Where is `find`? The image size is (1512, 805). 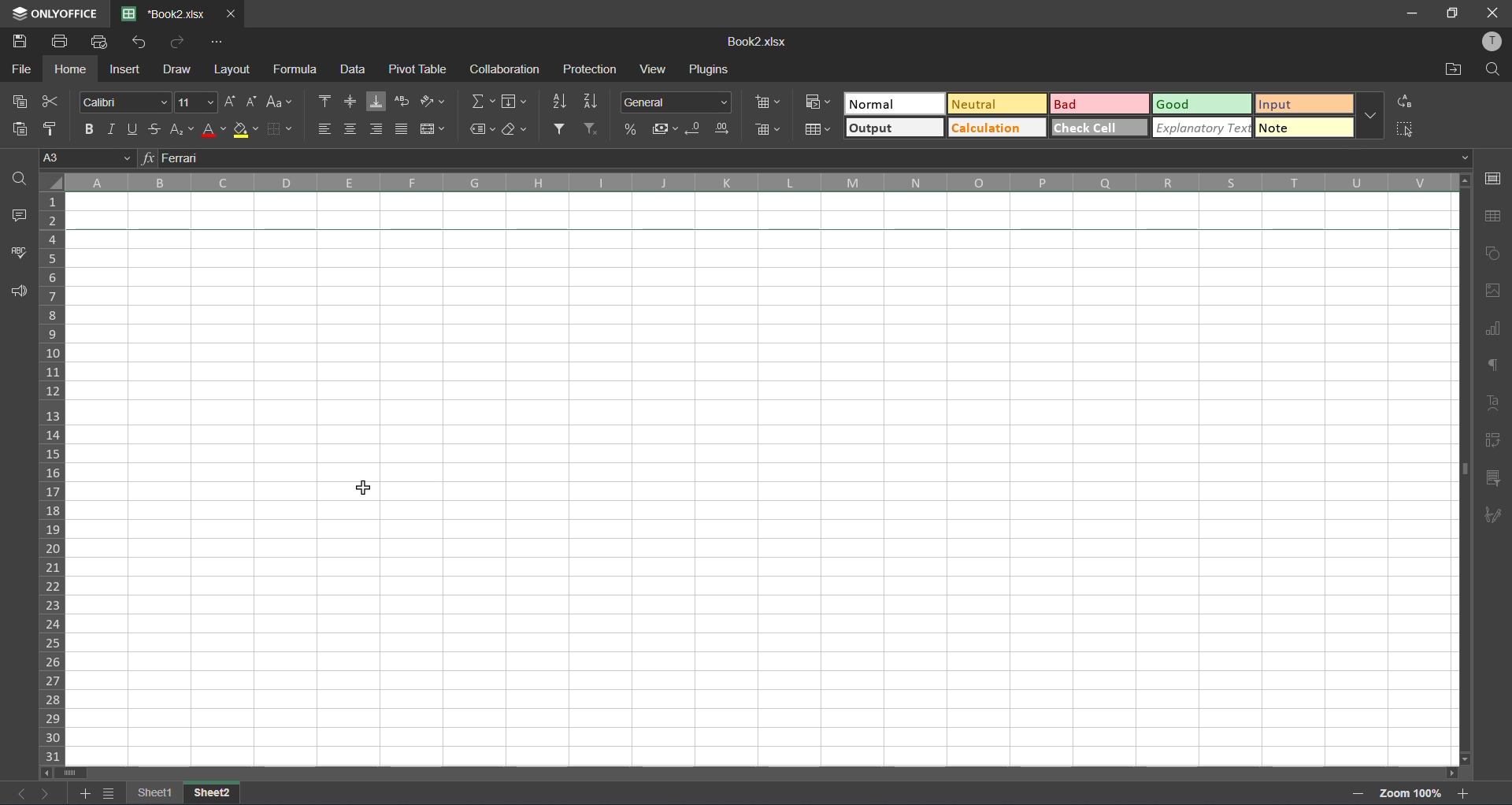 find is located at coordinates (19, 179).